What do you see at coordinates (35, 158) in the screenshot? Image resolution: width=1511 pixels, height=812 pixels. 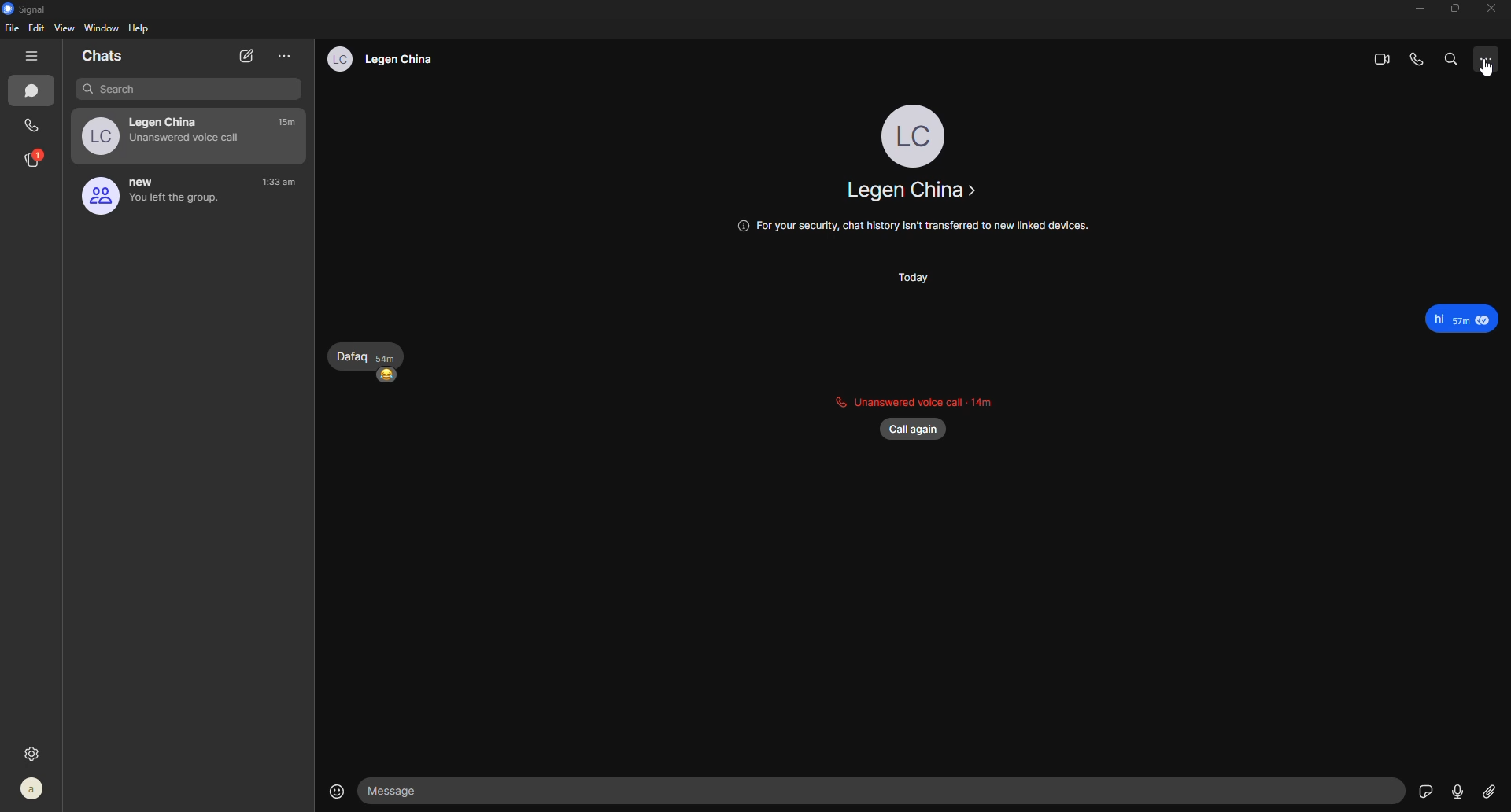 I see `stories` at bounding box center [35, 158].